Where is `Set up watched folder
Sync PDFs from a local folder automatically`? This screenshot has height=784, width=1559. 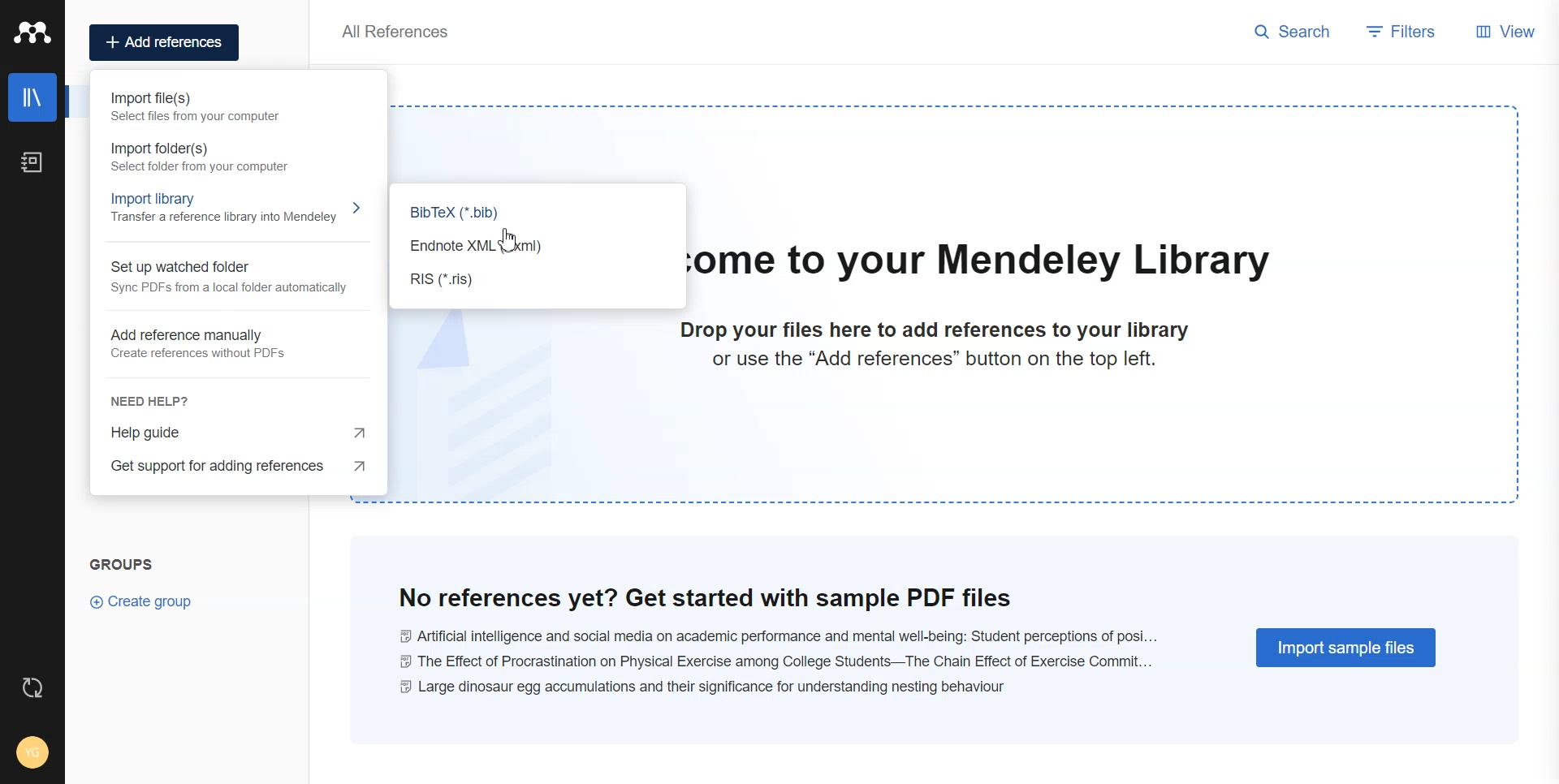
Set up watched folder
Sync PDFs from a local folder automatically is located at coordinates (225, 279).